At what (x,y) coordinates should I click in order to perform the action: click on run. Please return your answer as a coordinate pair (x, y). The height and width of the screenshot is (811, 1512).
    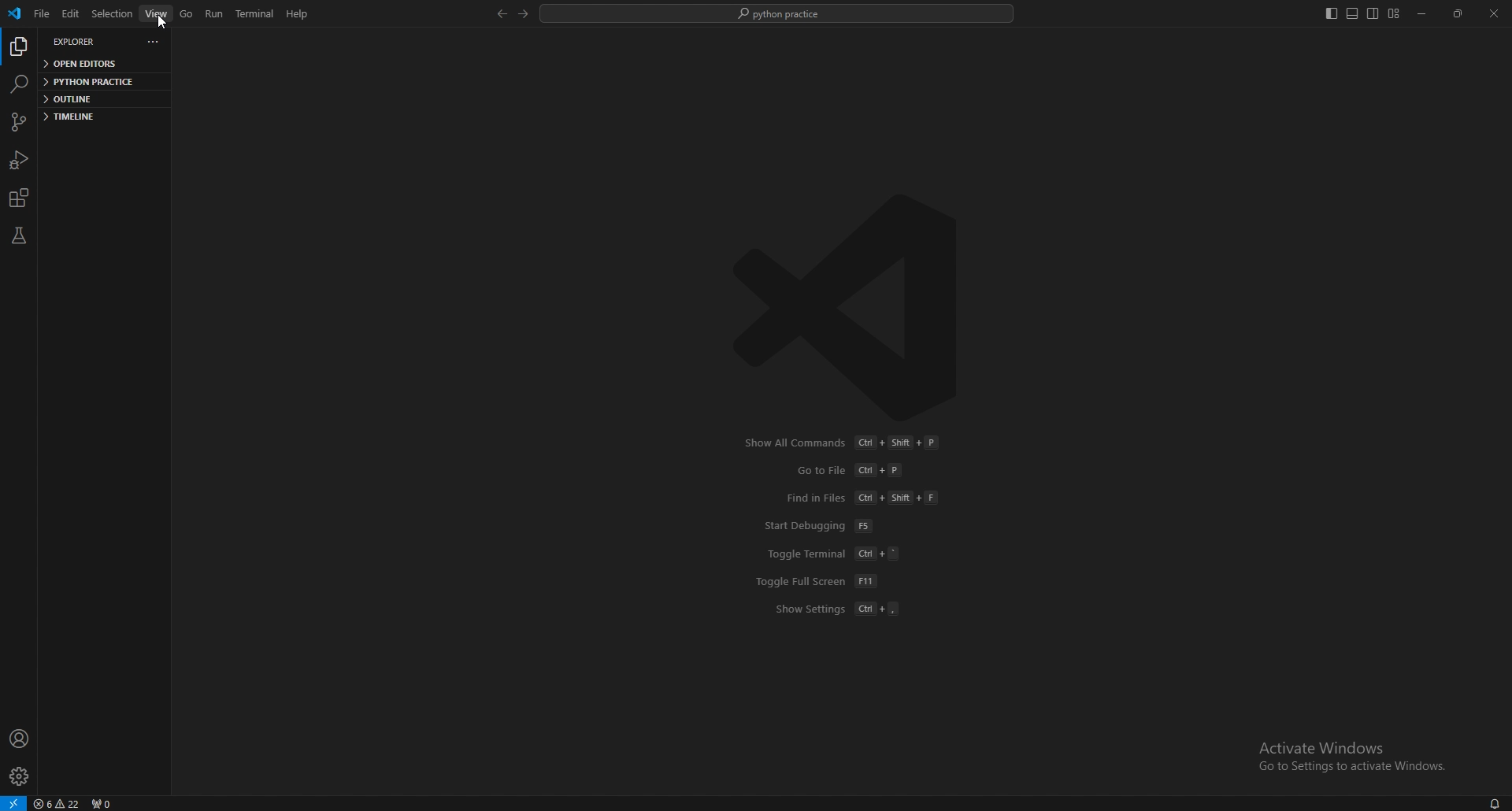
    Looking at the image, I should click on (215, 13).